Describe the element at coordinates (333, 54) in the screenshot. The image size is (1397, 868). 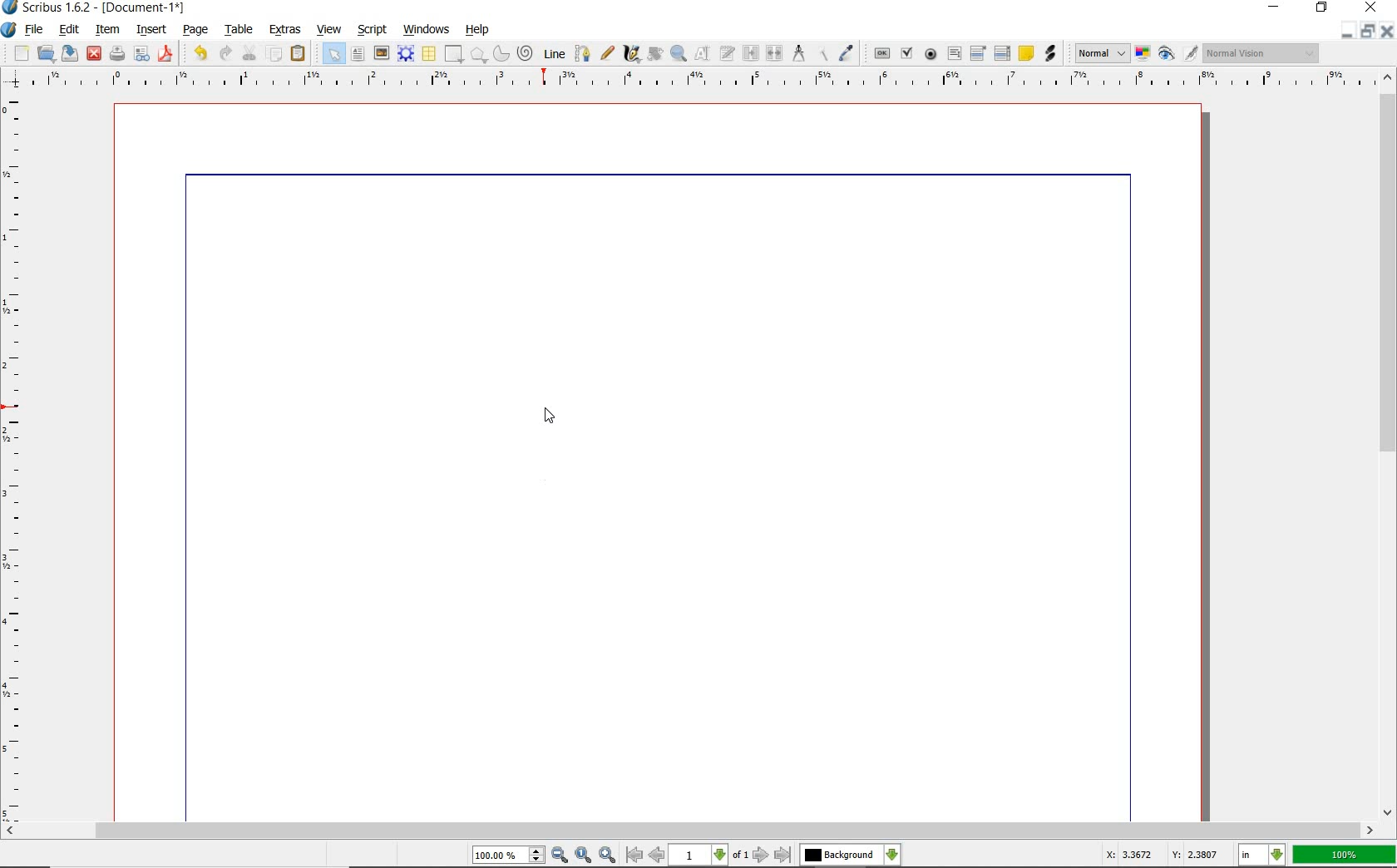
I see `select` at that location.